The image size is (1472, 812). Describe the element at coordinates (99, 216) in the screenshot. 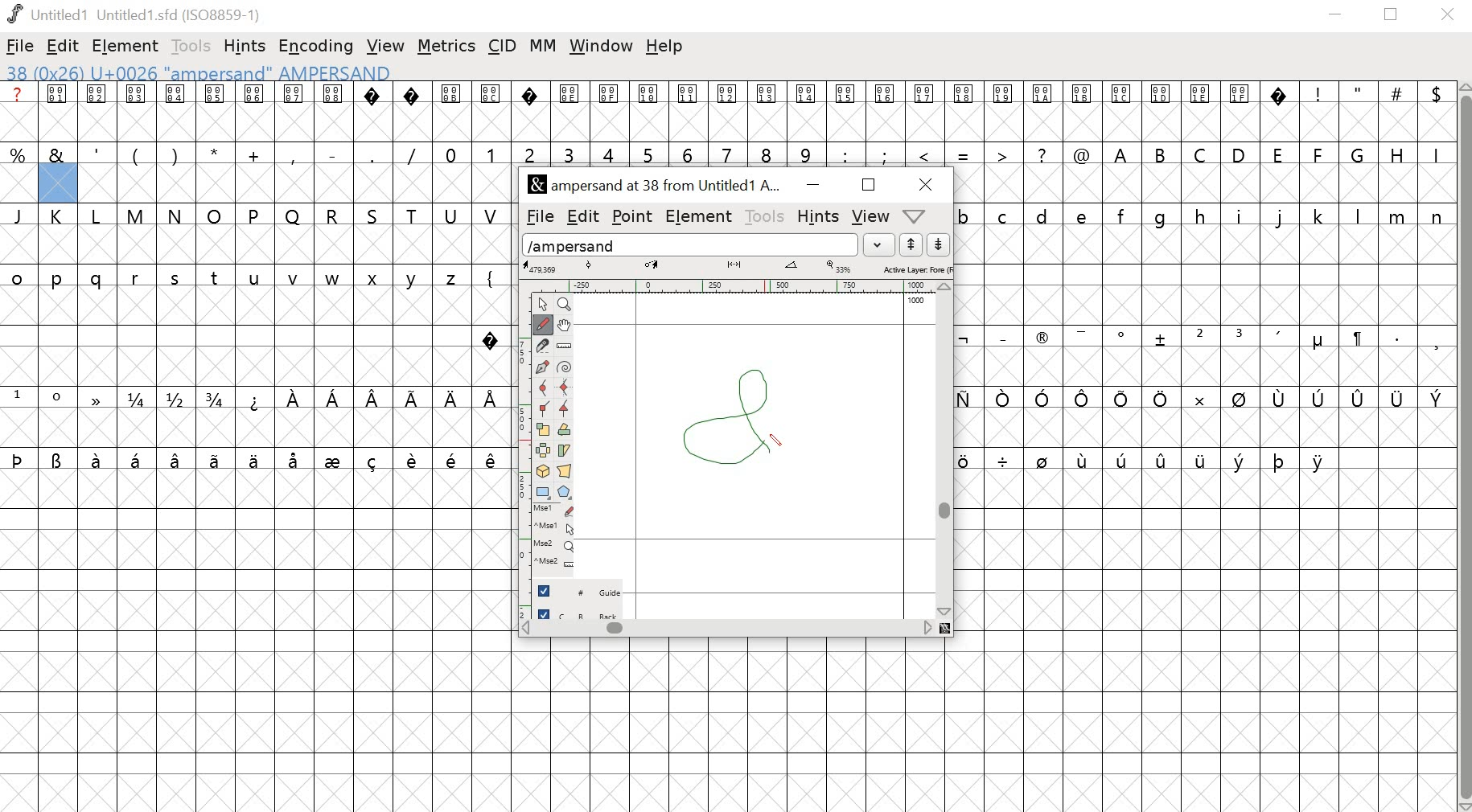

I see `L` at that location.